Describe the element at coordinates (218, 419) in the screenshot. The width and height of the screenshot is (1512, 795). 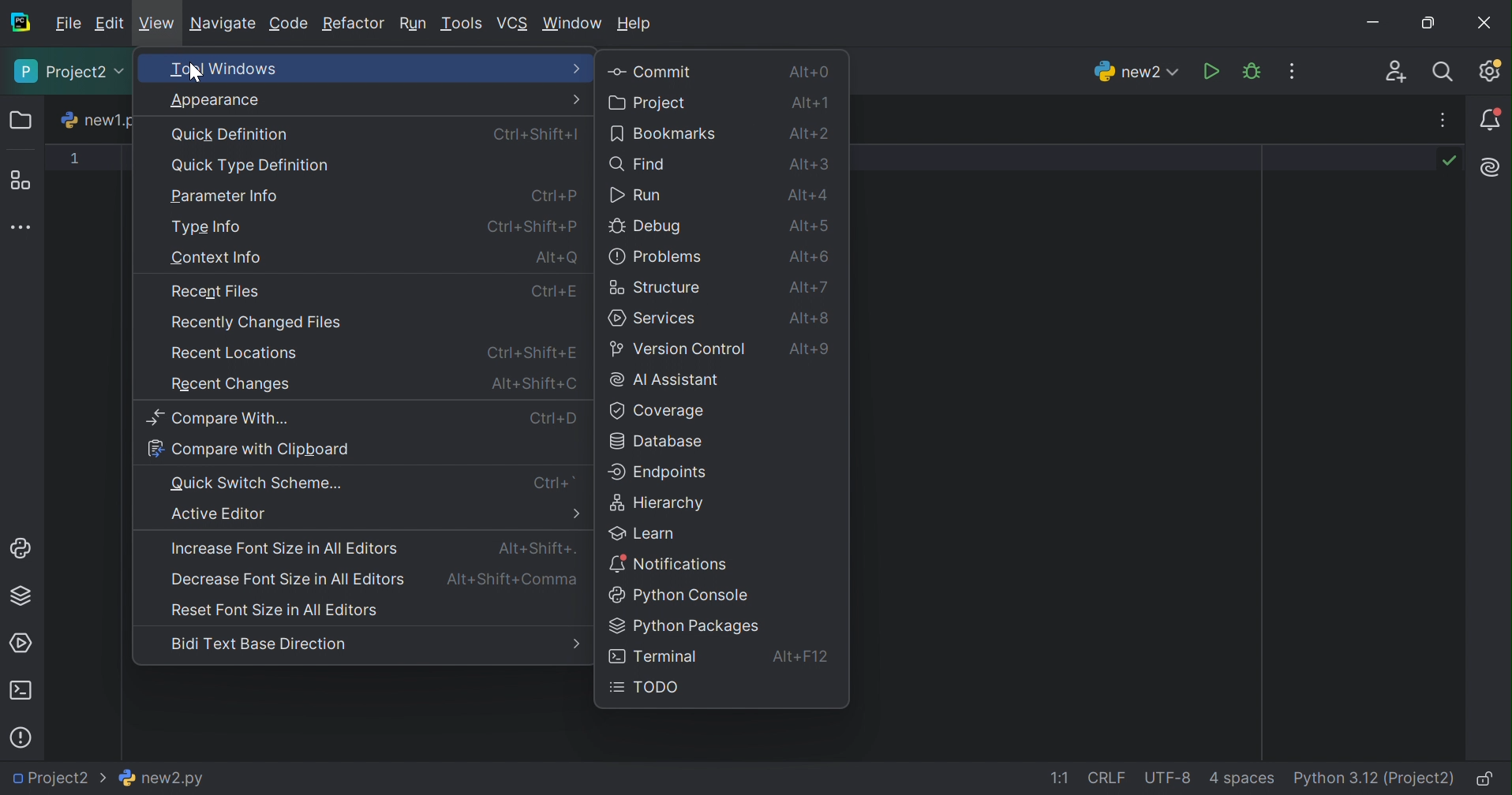
I see `Compare with...` at that location.